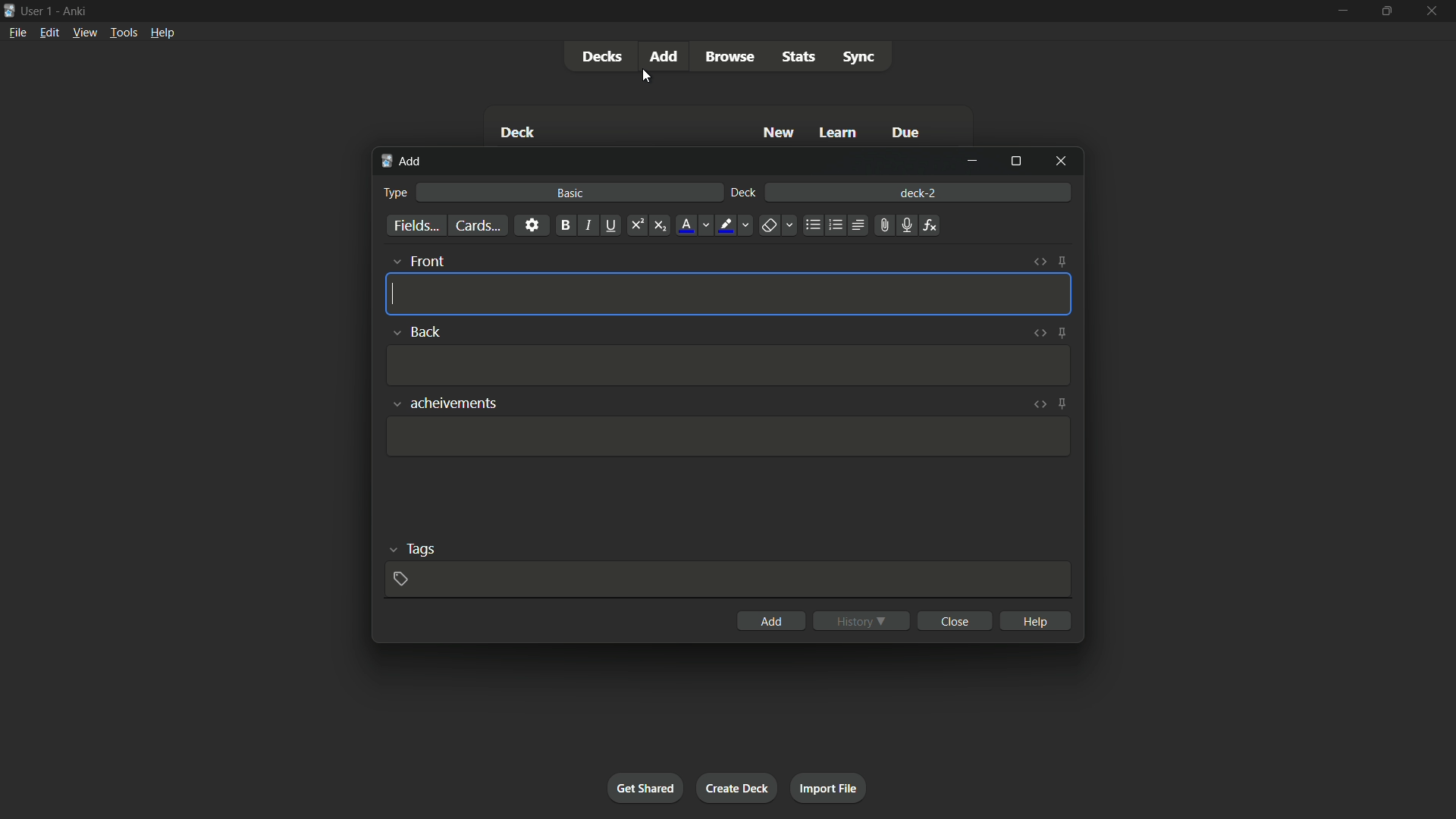  Describe the element at coordinates (920, 192) in the screenshot. I see `deck-2` at that location.